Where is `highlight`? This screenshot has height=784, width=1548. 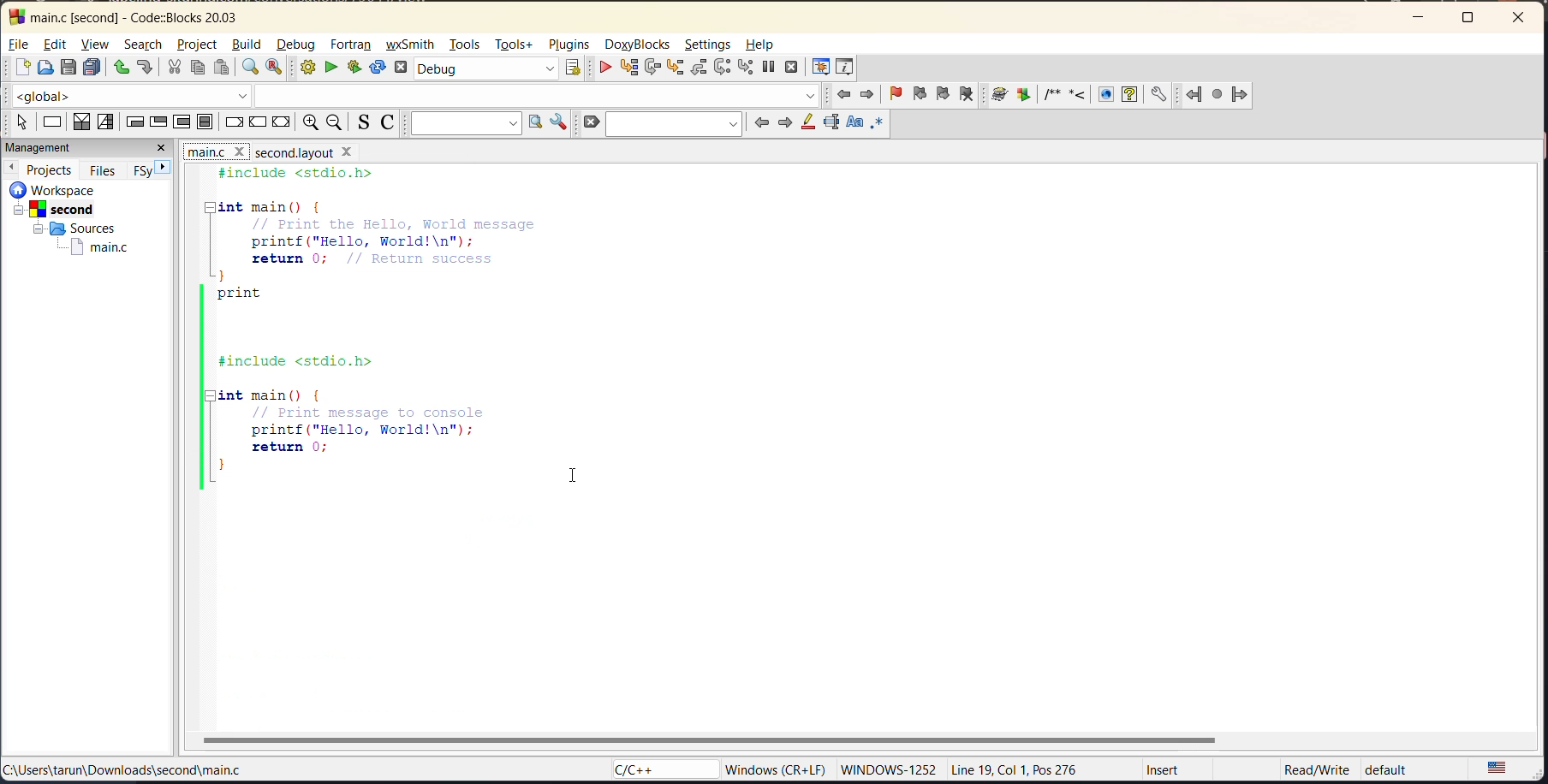 highlight is located at coordinates (808, 123).